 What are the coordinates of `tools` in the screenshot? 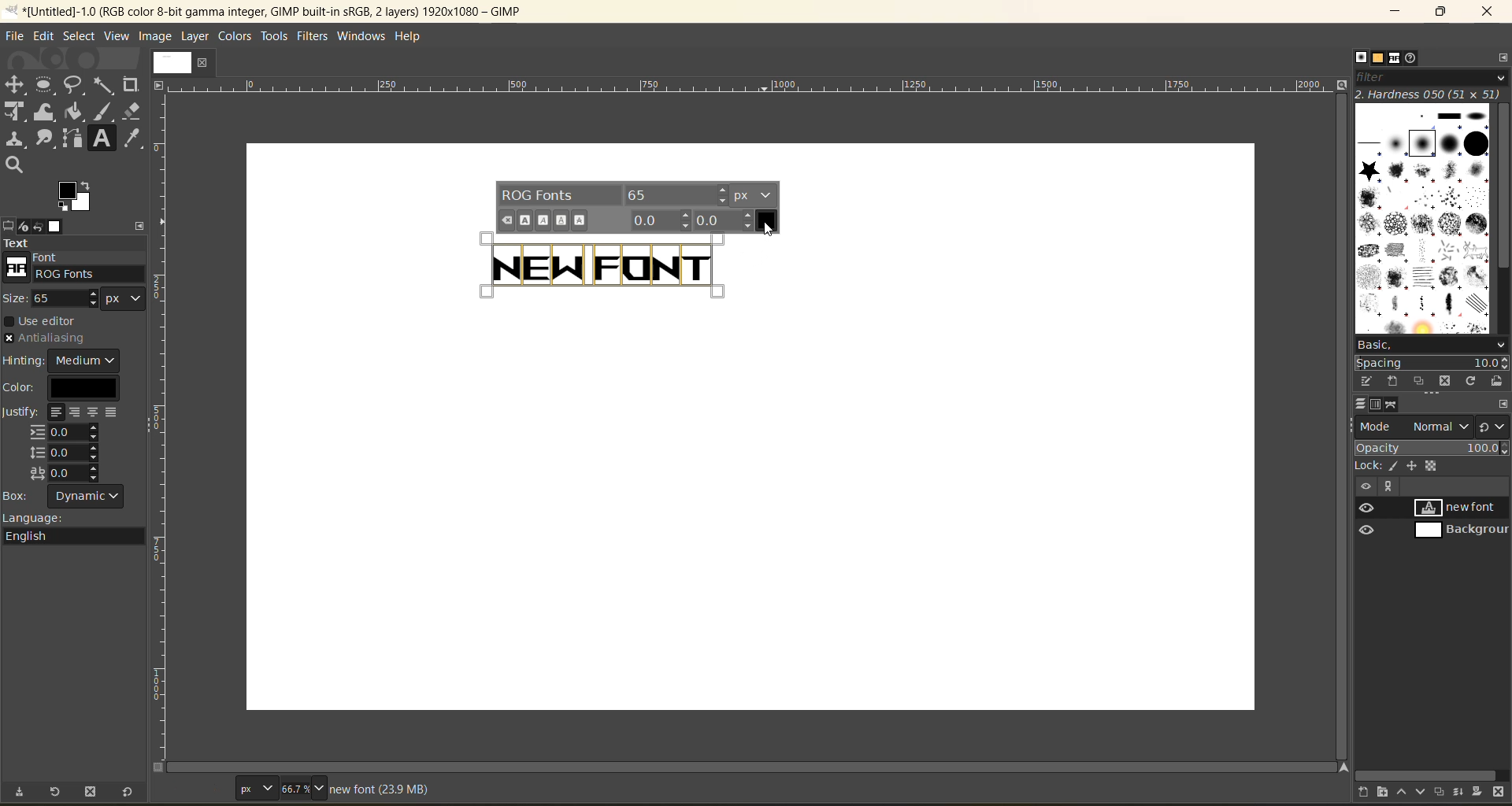 It's located at (75, 126).